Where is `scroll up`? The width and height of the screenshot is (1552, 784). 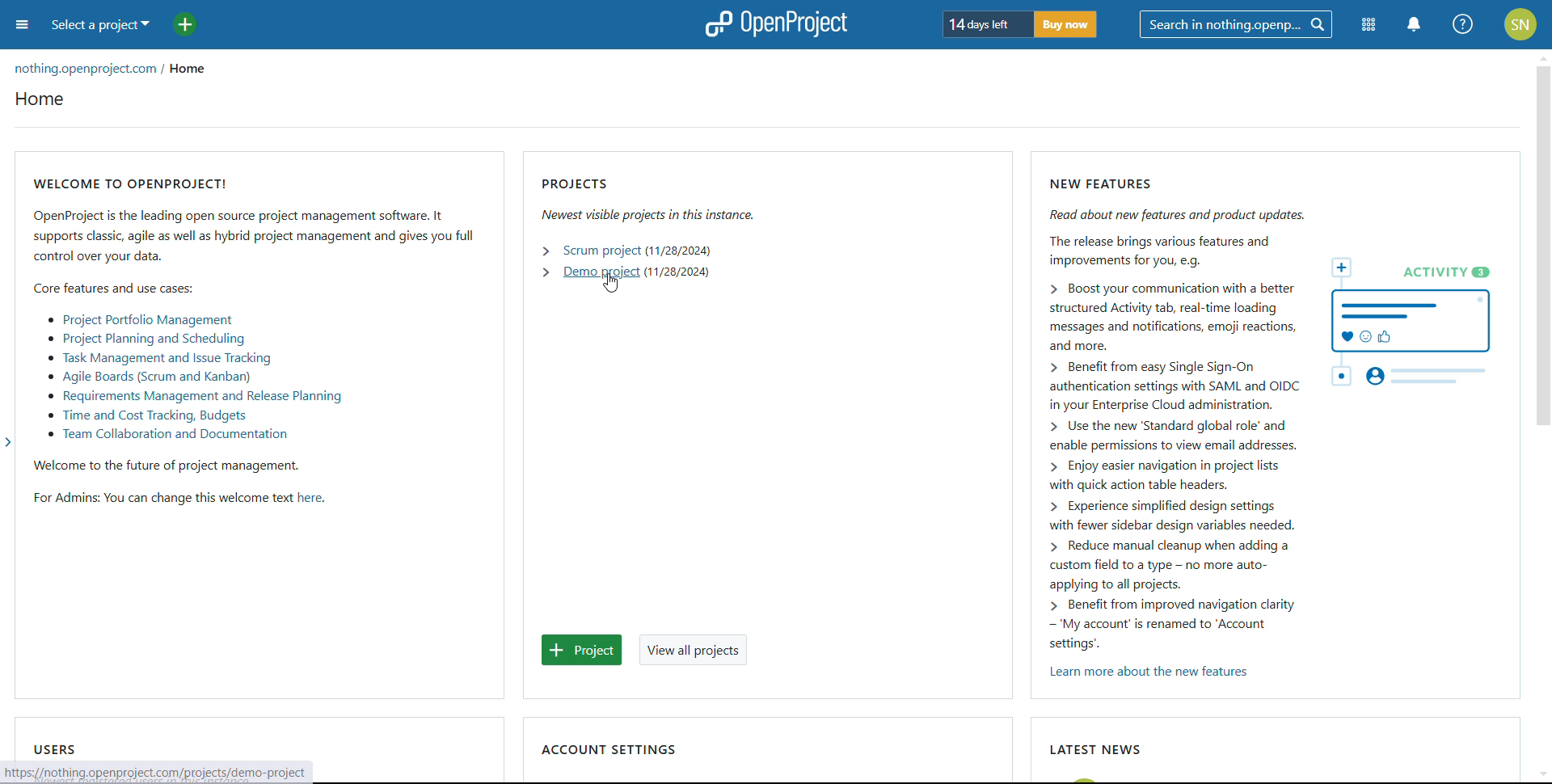
scroll up is located at coordinates (1542, 57).